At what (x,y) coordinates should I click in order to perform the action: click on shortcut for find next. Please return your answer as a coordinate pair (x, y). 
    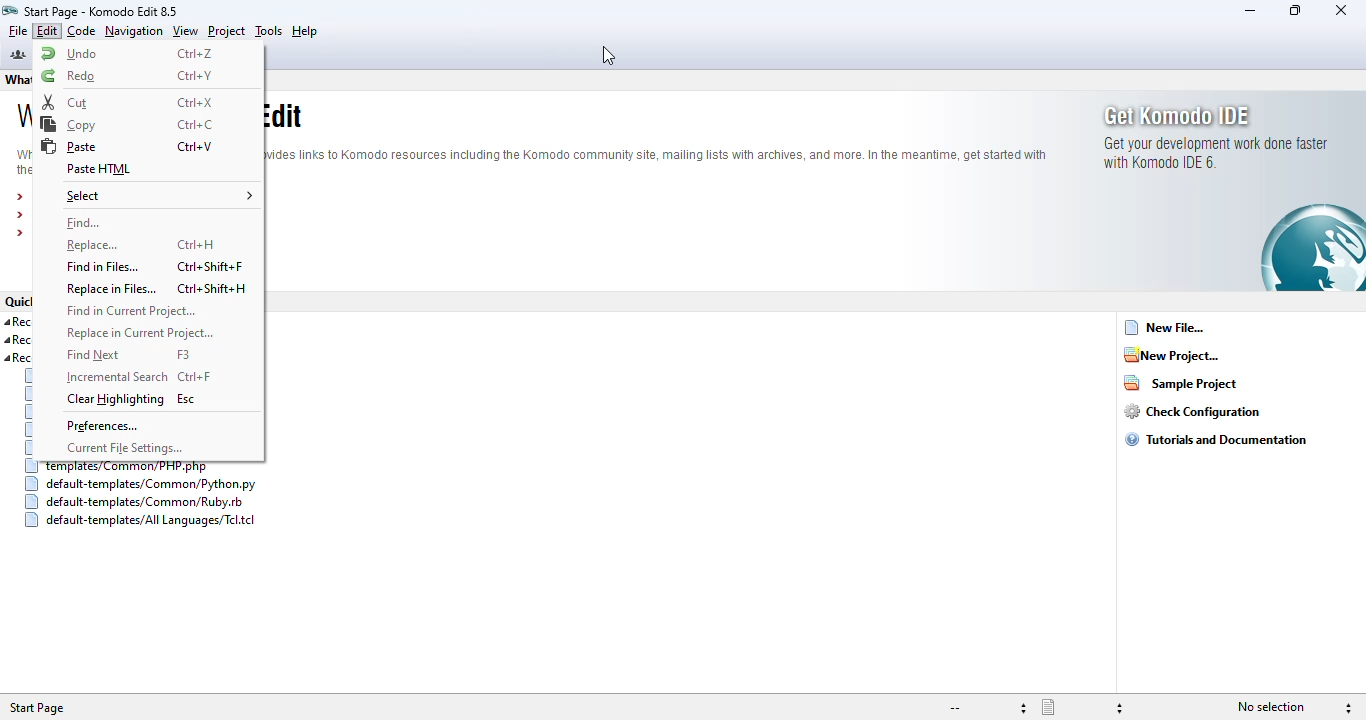
    Looking at the image, I should click on (184, 355).